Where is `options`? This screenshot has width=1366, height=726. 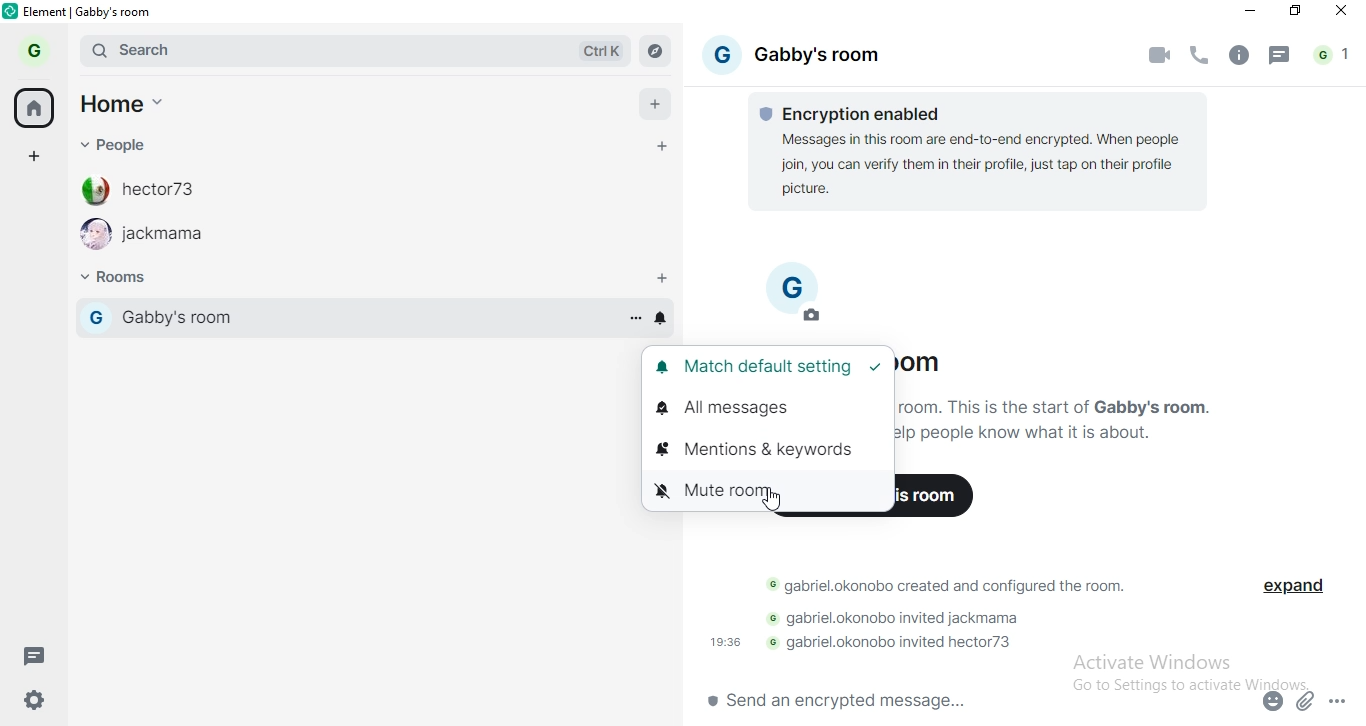
options is located at coordinates (1340, 701).